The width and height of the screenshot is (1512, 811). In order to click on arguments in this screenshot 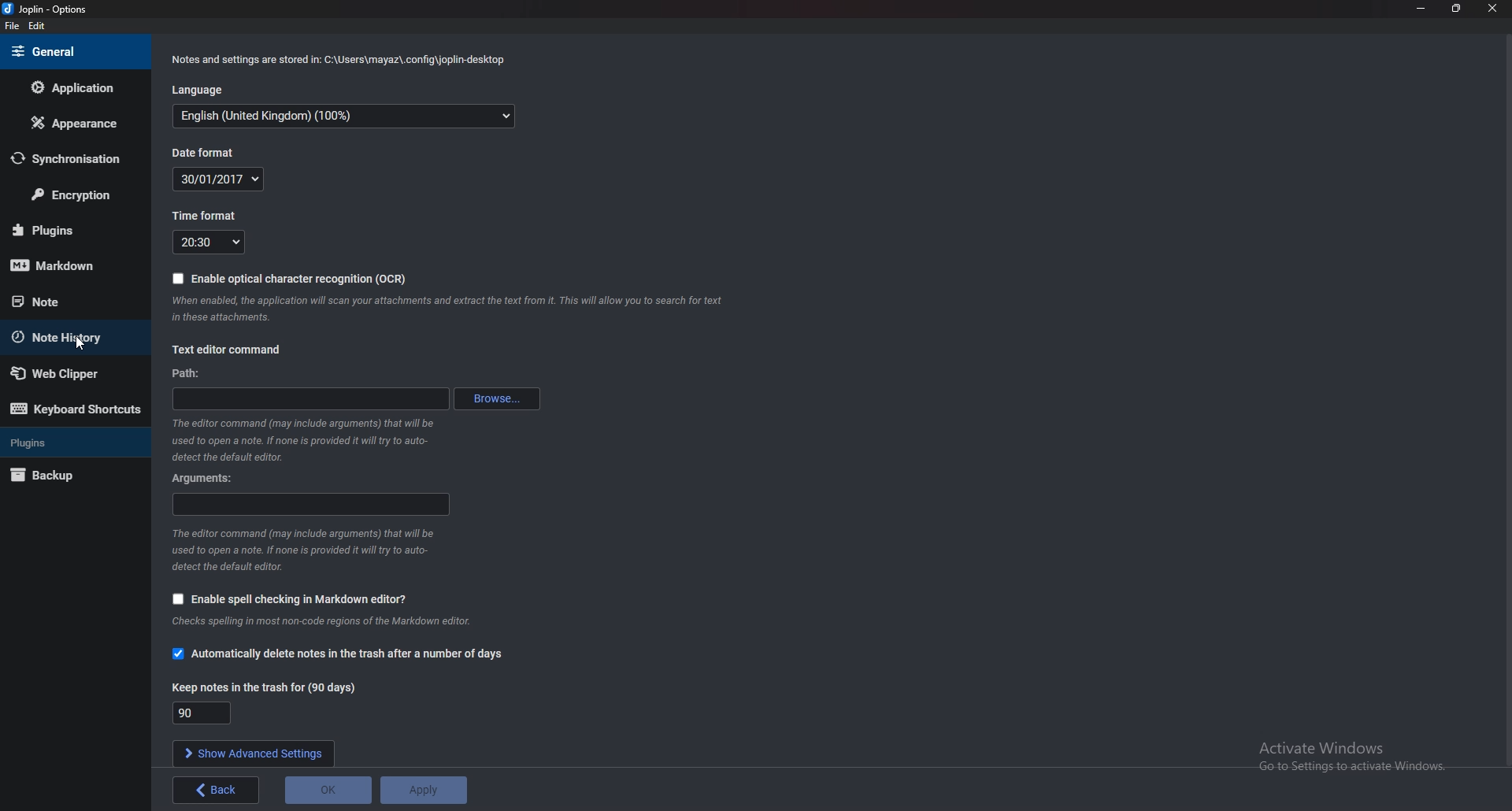, I will do `click(312, 504)`.